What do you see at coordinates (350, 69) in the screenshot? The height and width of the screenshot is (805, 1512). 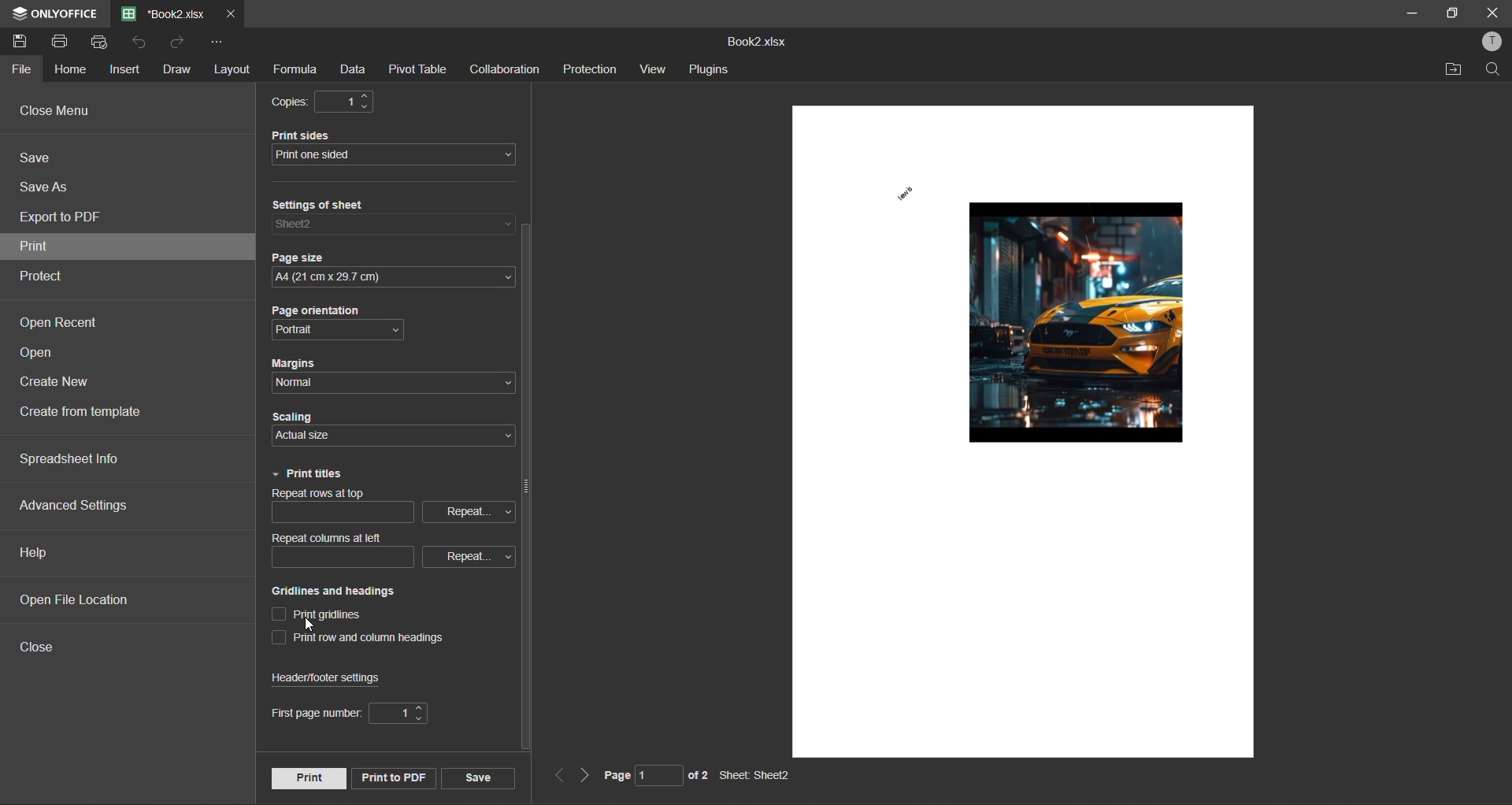 I see `data` at bounding box center [350, 69].